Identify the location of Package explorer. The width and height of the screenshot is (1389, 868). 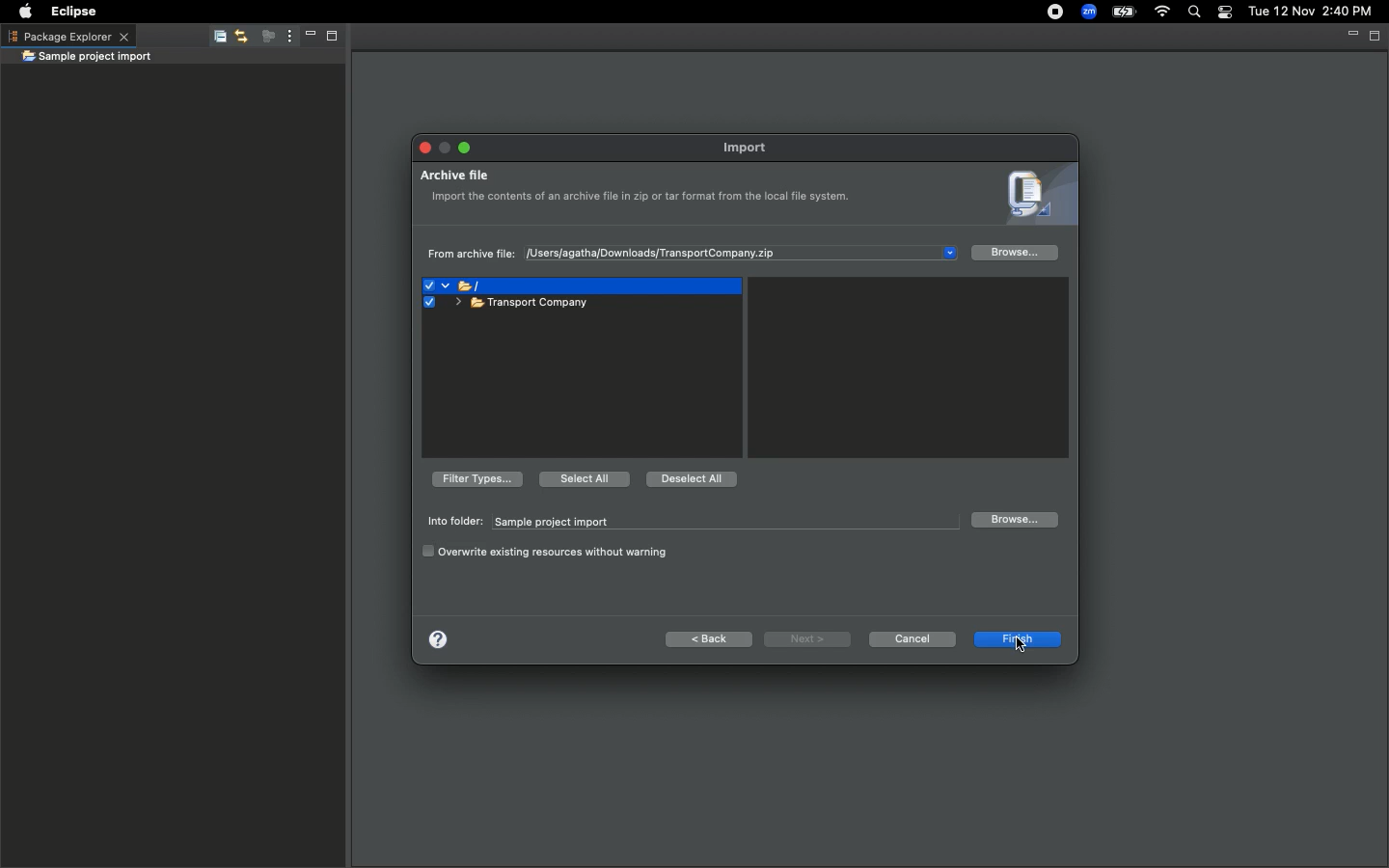
(68, 36).